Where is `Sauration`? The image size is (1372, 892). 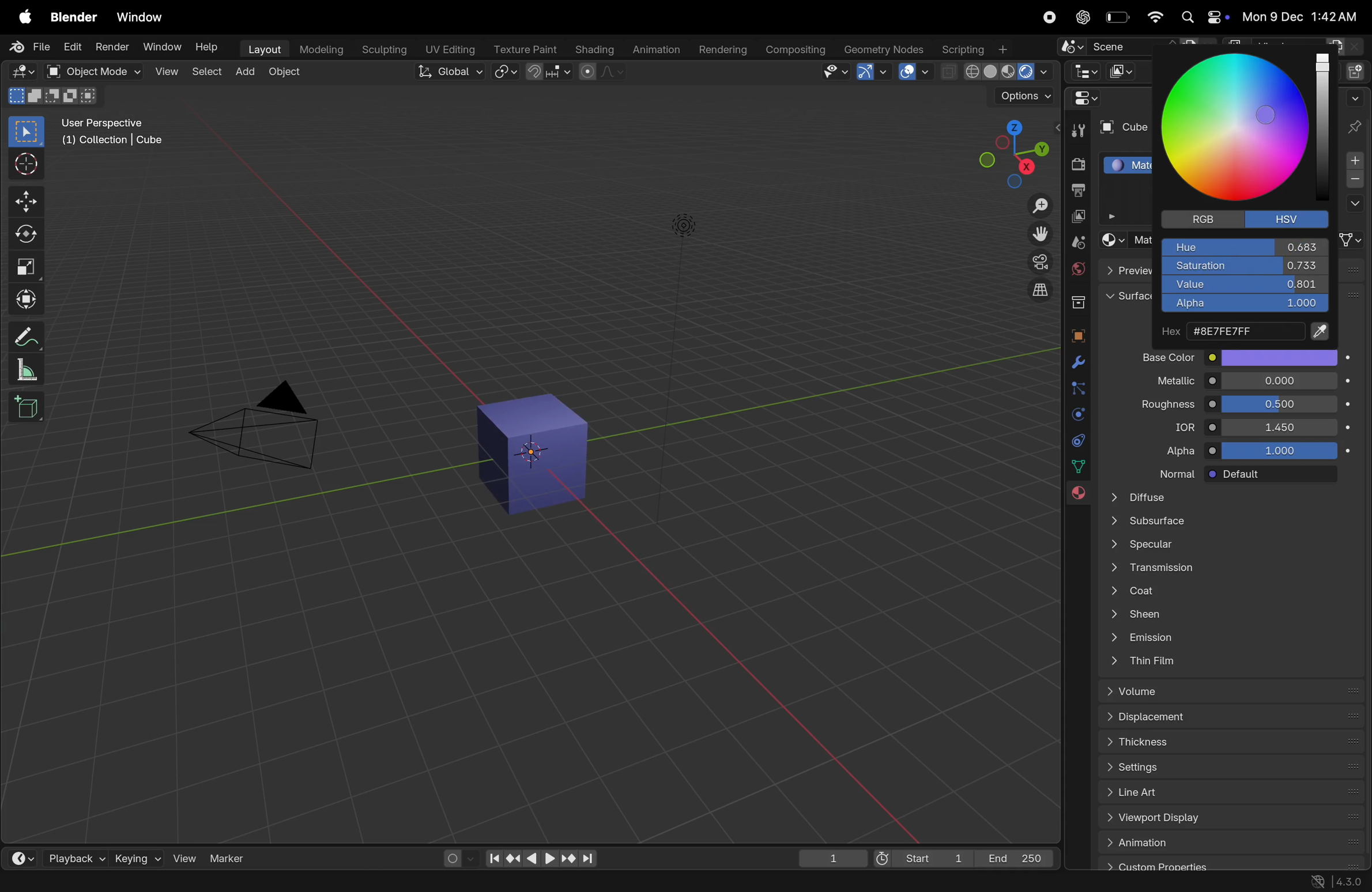 Sauration is located at coordinates (1243, 266).